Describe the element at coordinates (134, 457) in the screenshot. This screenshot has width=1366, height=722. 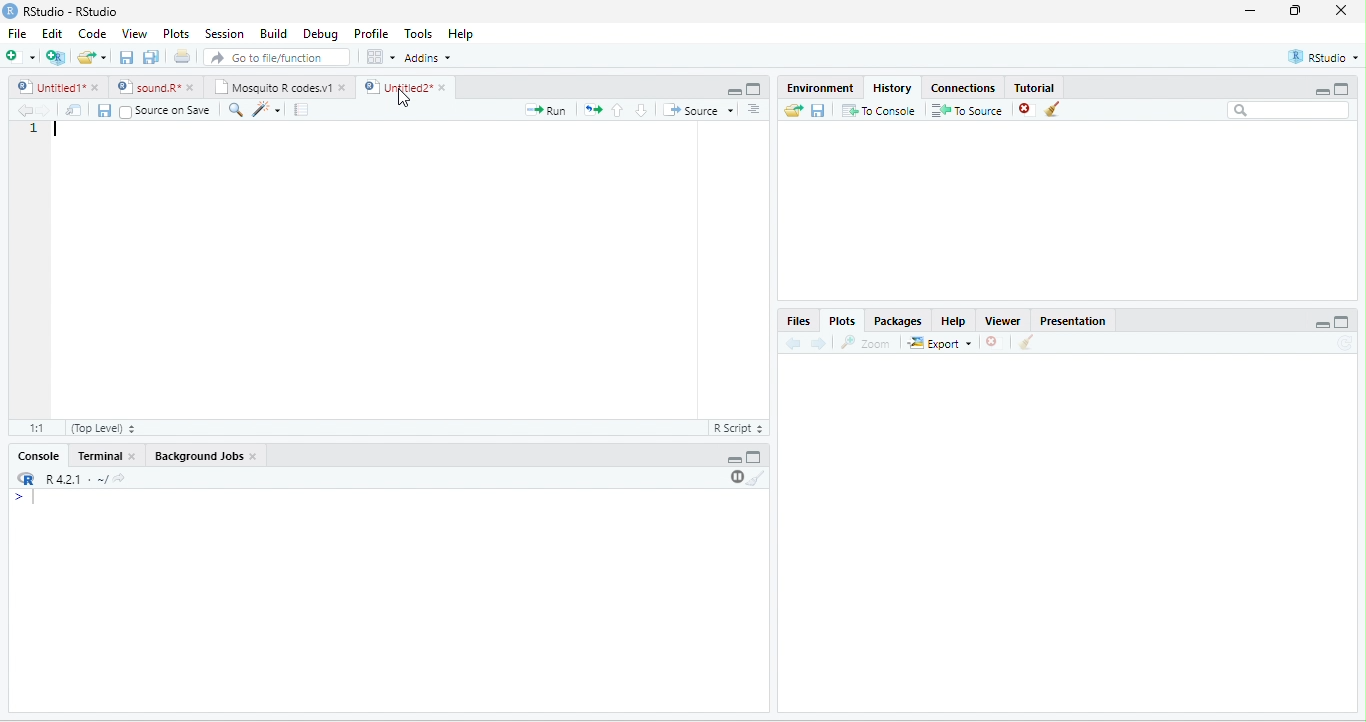
I see `close` at that location.